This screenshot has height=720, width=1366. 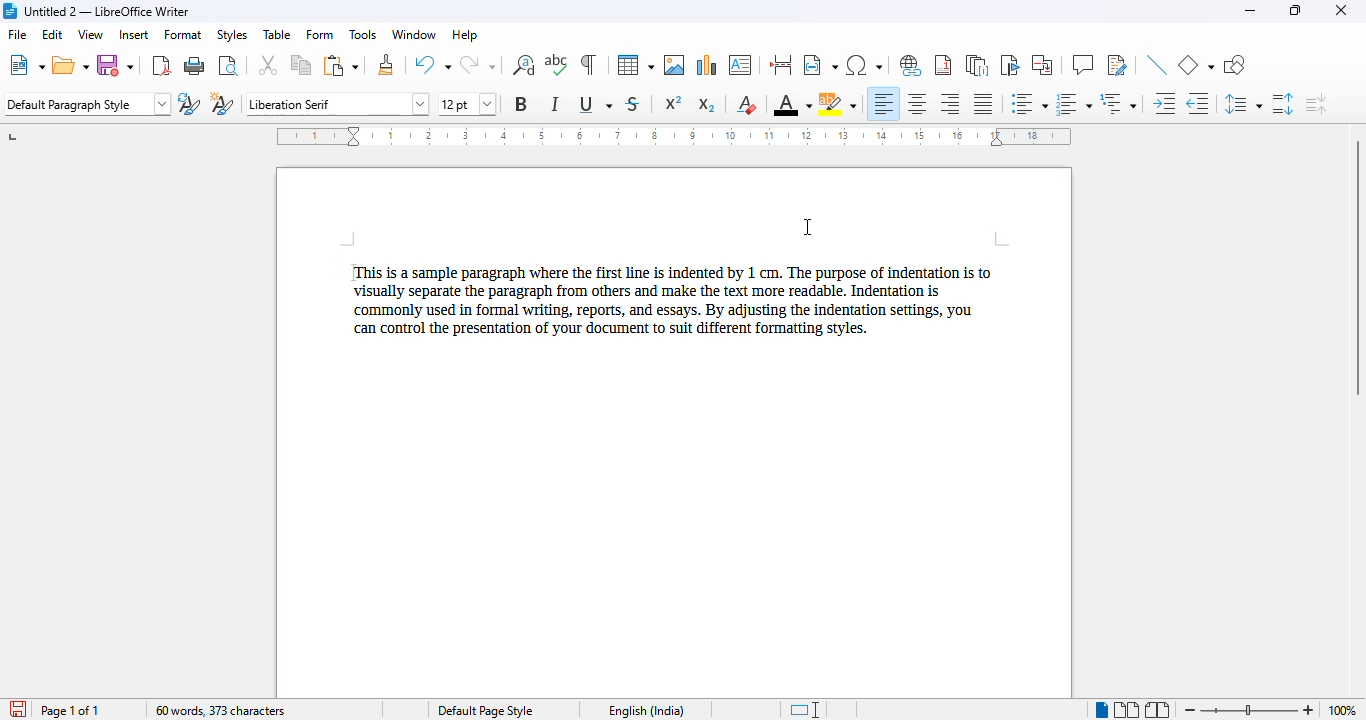 I want to click on insert special characters, so click(x=863, y=65).